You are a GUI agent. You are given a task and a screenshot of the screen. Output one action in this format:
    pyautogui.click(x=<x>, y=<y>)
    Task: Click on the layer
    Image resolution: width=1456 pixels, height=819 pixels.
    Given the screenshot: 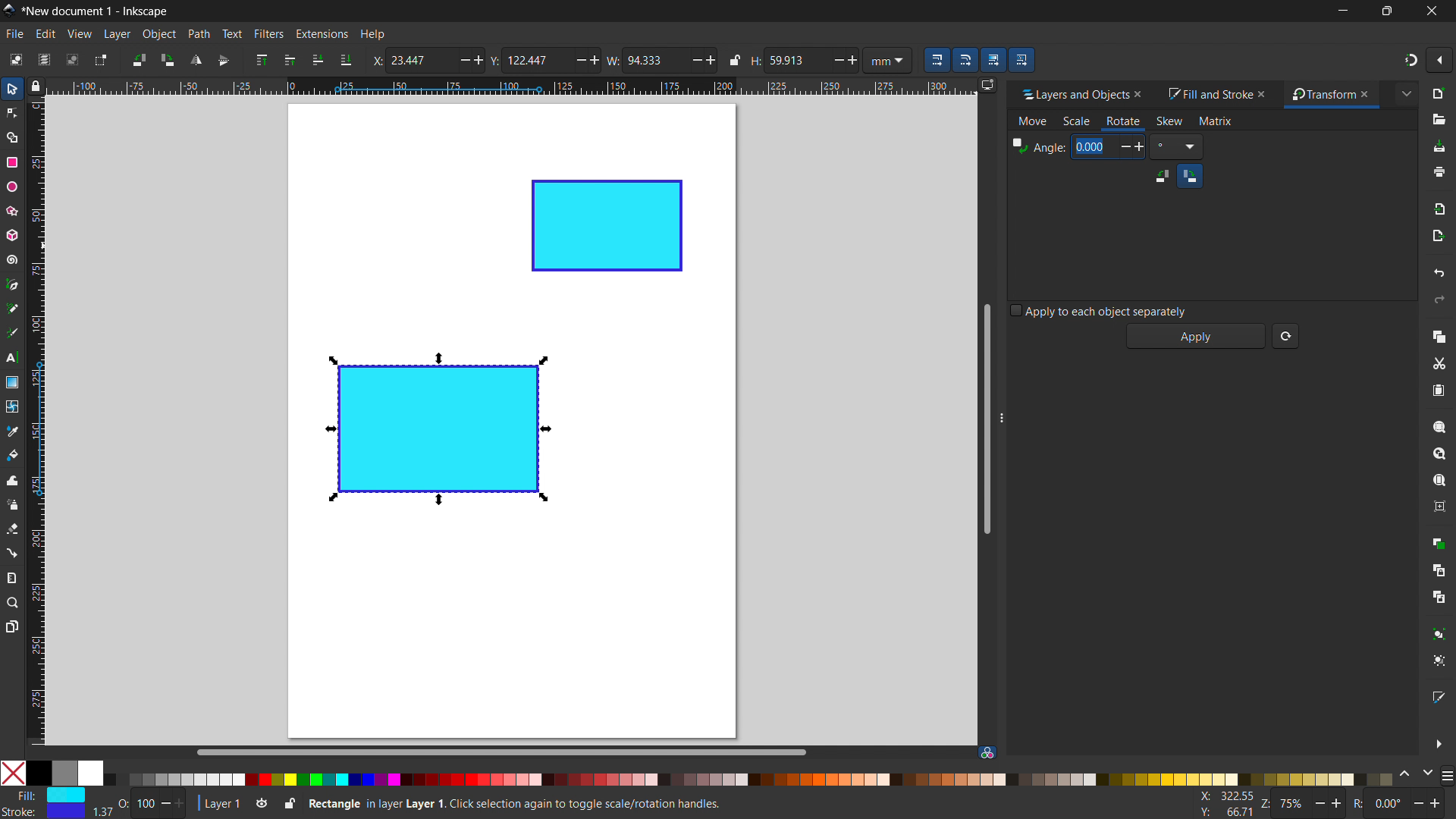 What is the action you would take?
    pyautogui.click(x=117, y=34)
    